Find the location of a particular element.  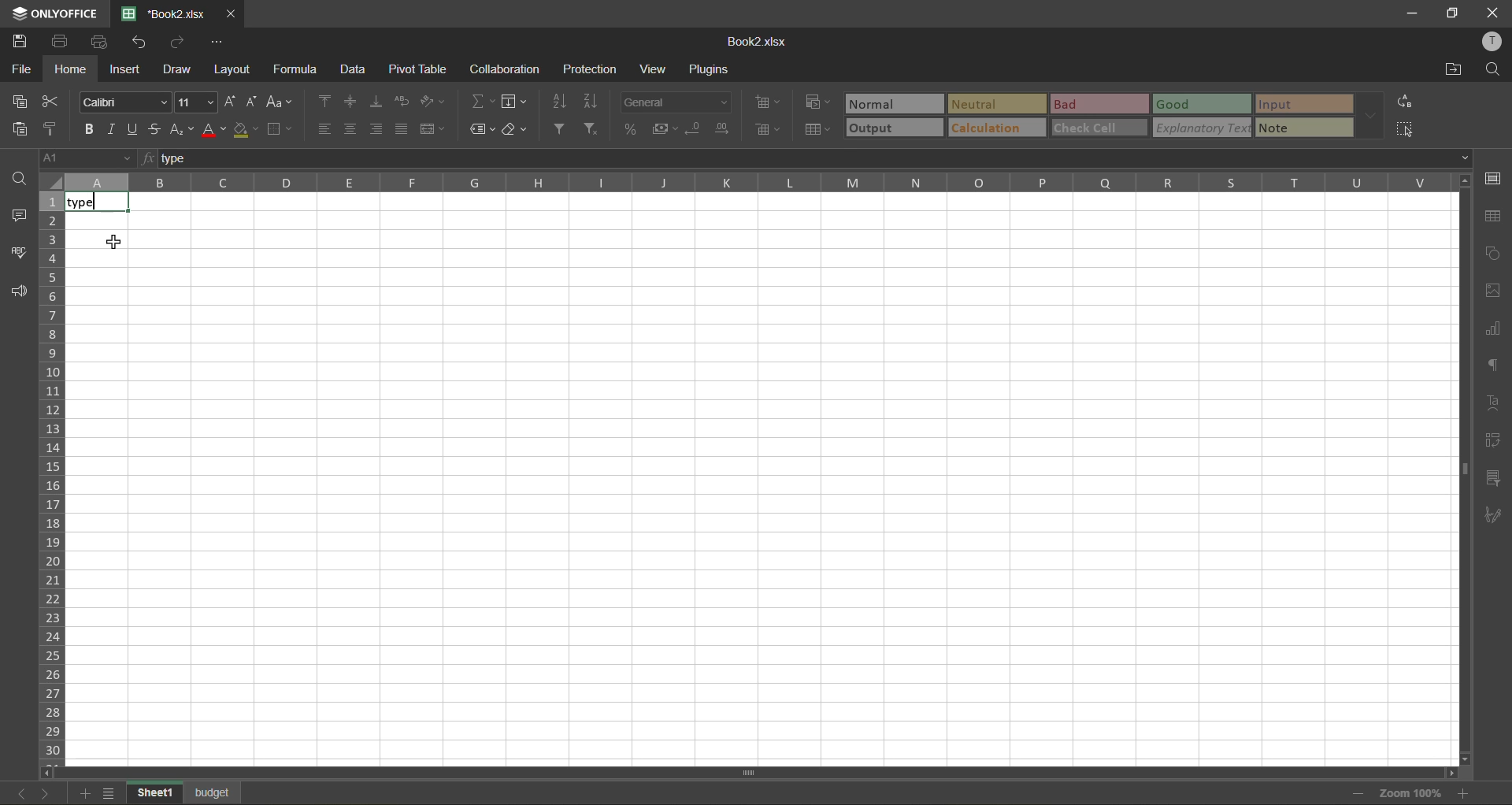

underline is located at coordinates (135, 131).